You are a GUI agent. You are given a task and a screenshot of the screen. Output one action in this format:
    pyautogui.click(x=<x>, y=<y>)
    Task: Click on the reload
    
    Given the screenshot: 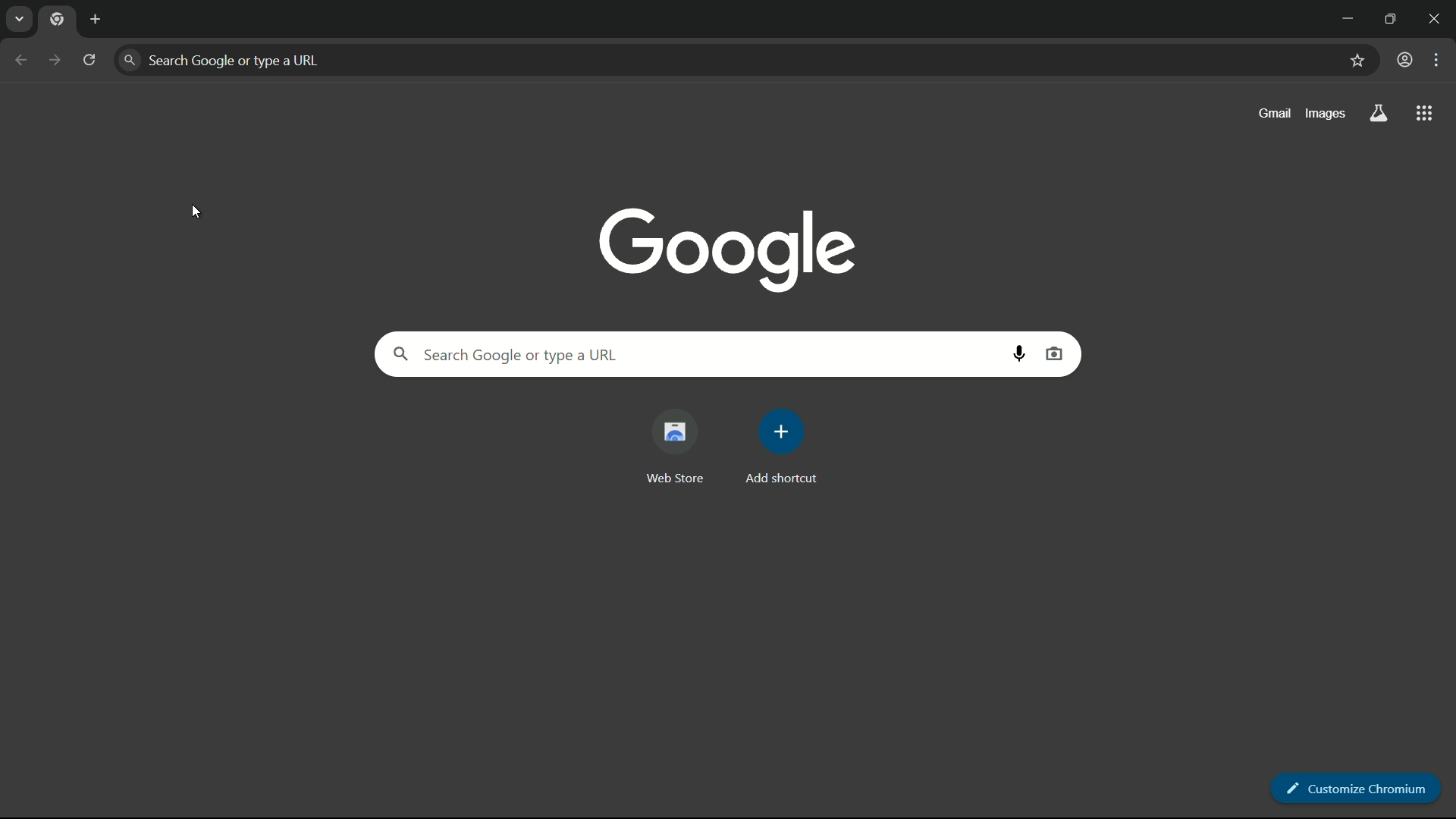 What is the action you would take?
    pyautogui.click(x=90, y=59)
    